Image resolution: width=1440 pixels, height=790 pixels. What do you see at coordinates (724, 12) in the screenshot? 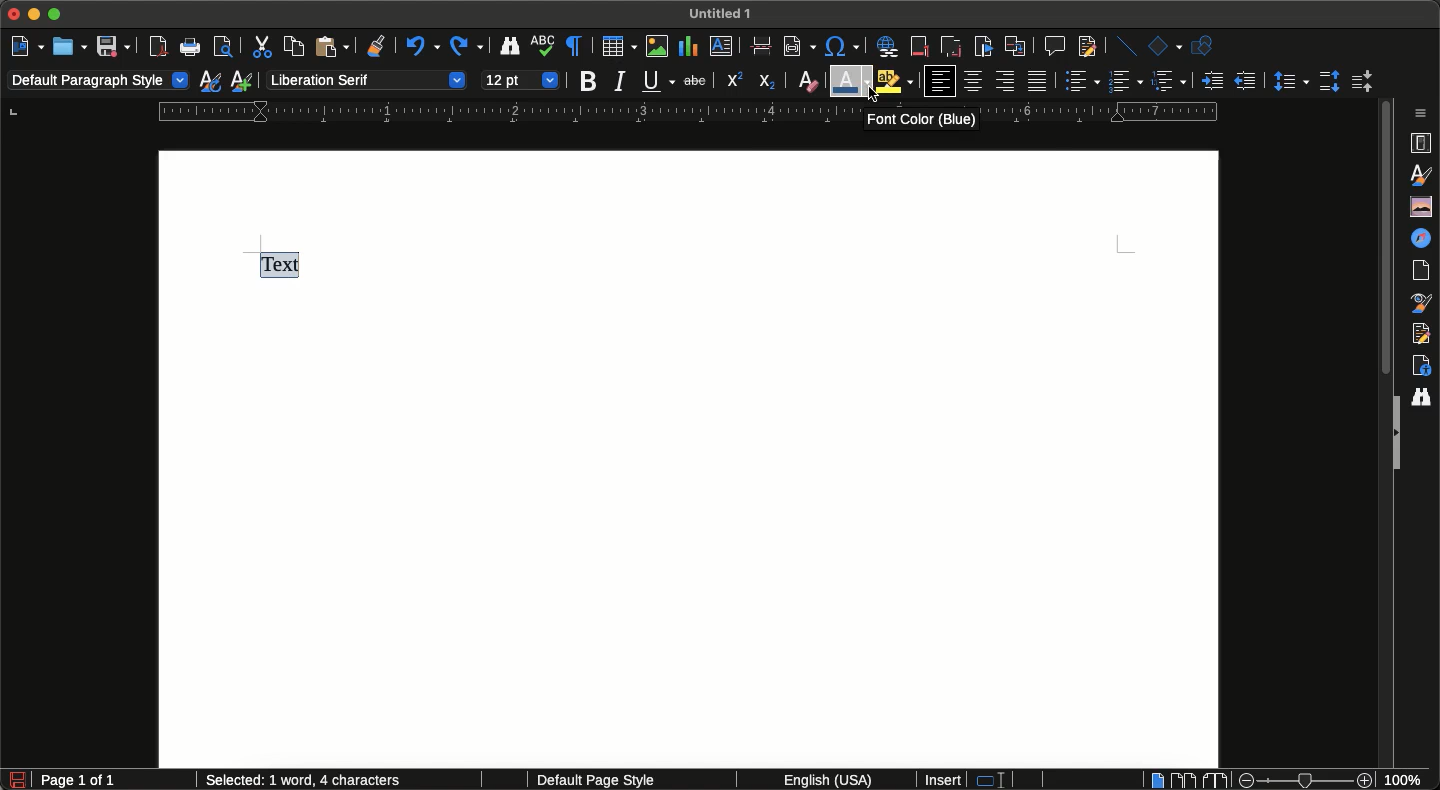
I see `File name` at bounding box center [724, 12].